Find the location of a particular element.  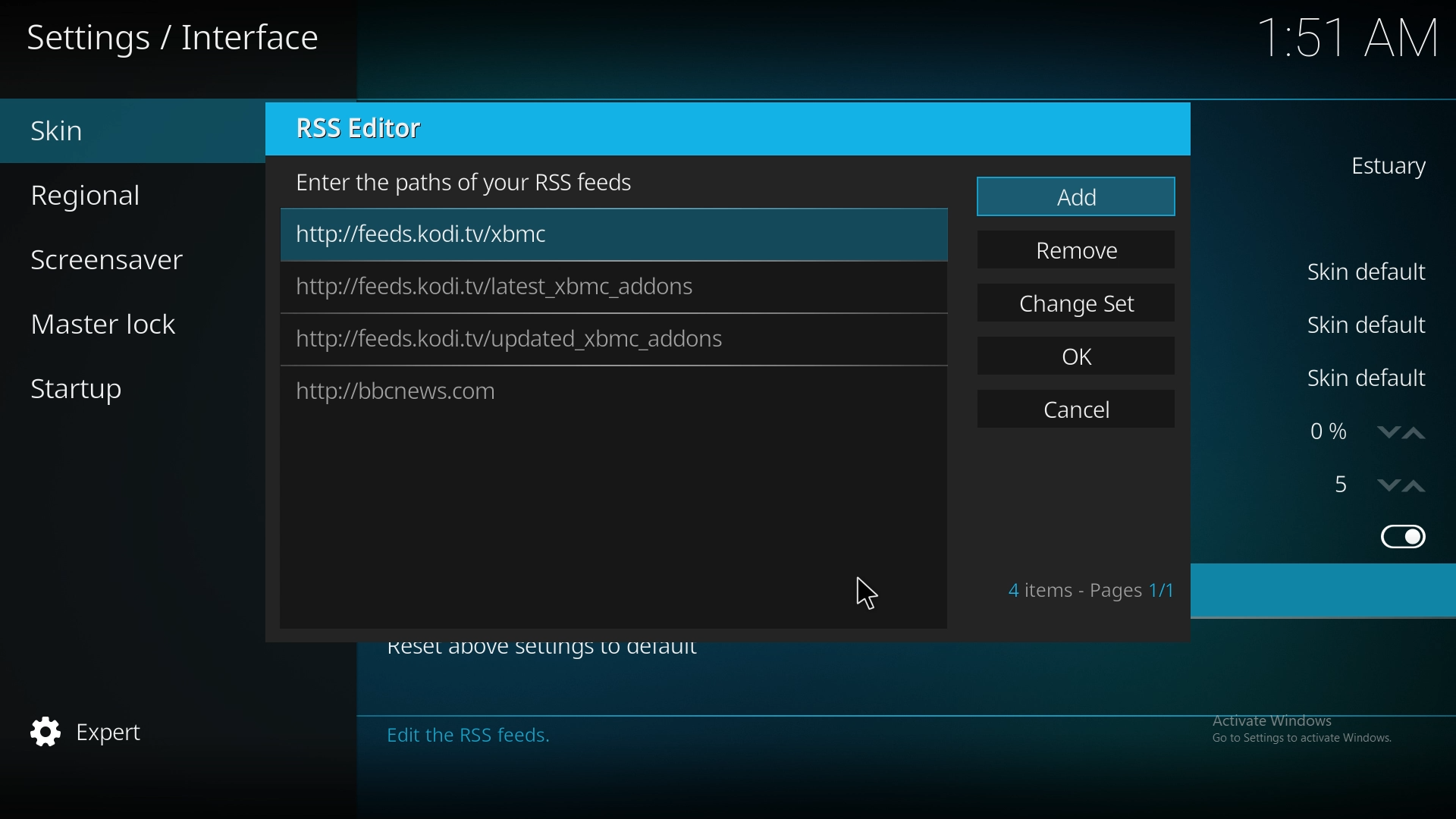

decrease zoom is located at coordinates (1385, 434).